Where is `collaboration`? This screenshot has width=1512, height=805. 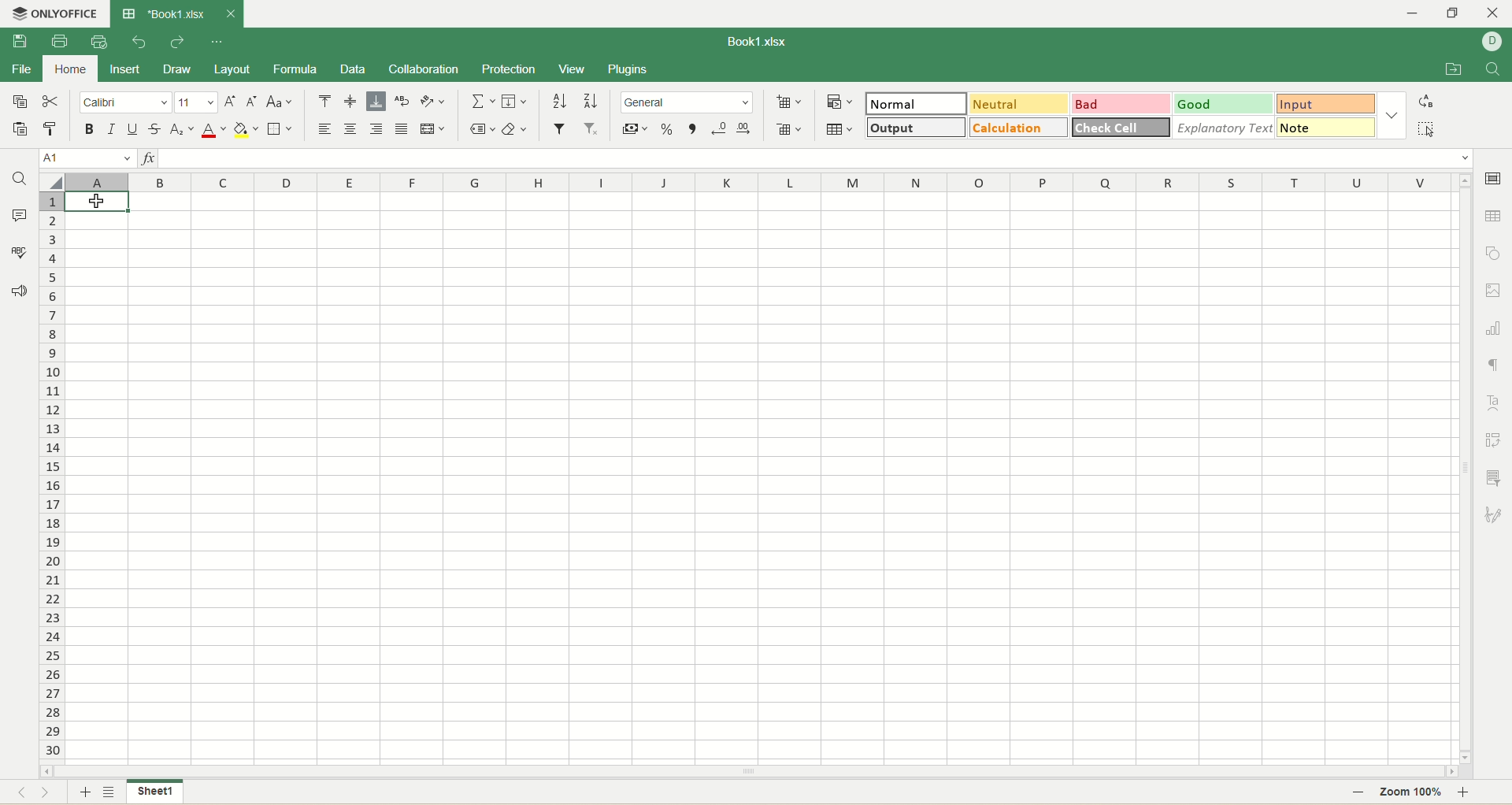
collaboration is located at coordinates (426, 70).